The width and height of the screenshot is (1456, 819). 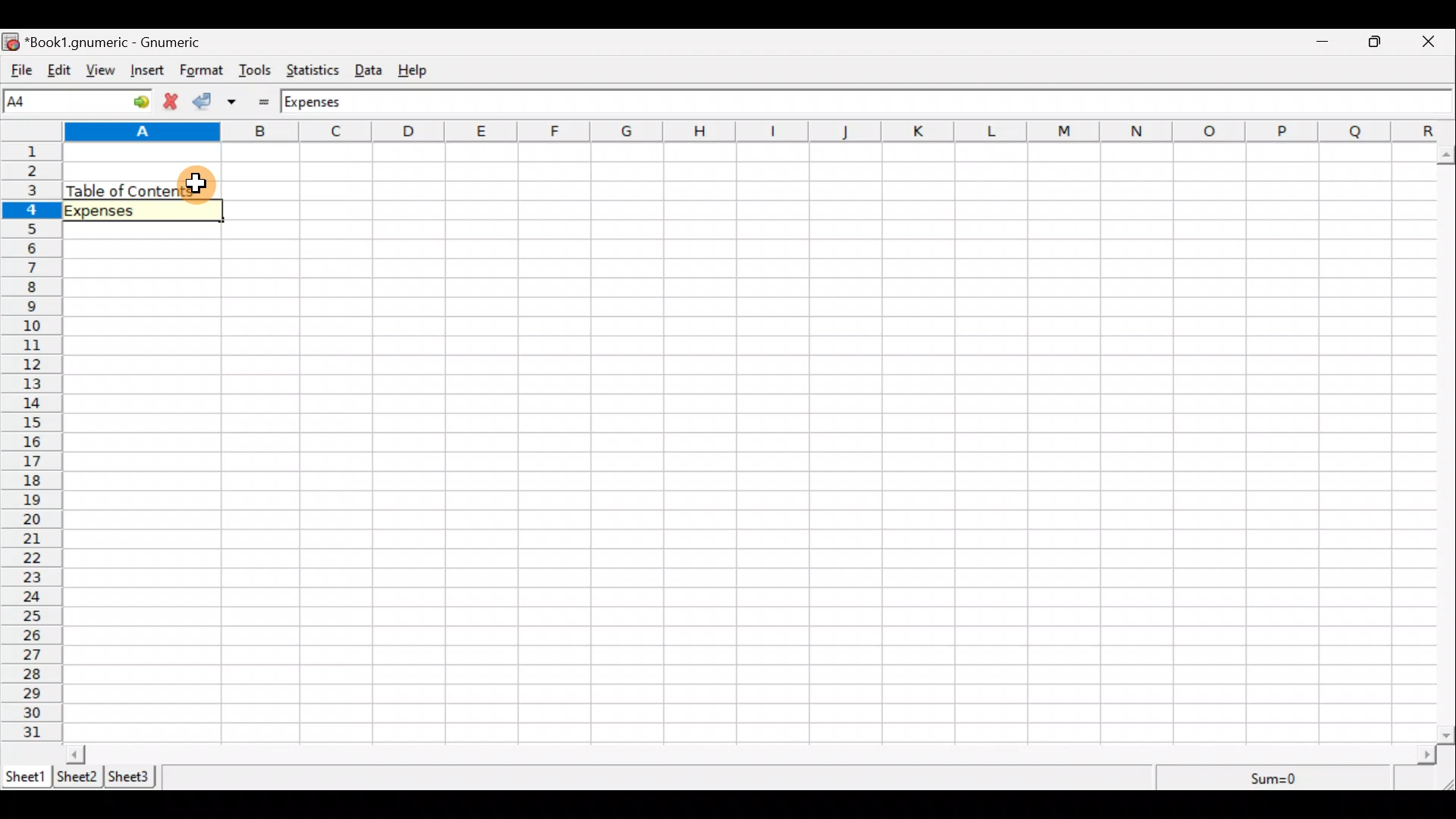 I want to click on scroll up, so click(x=1447, y=155).